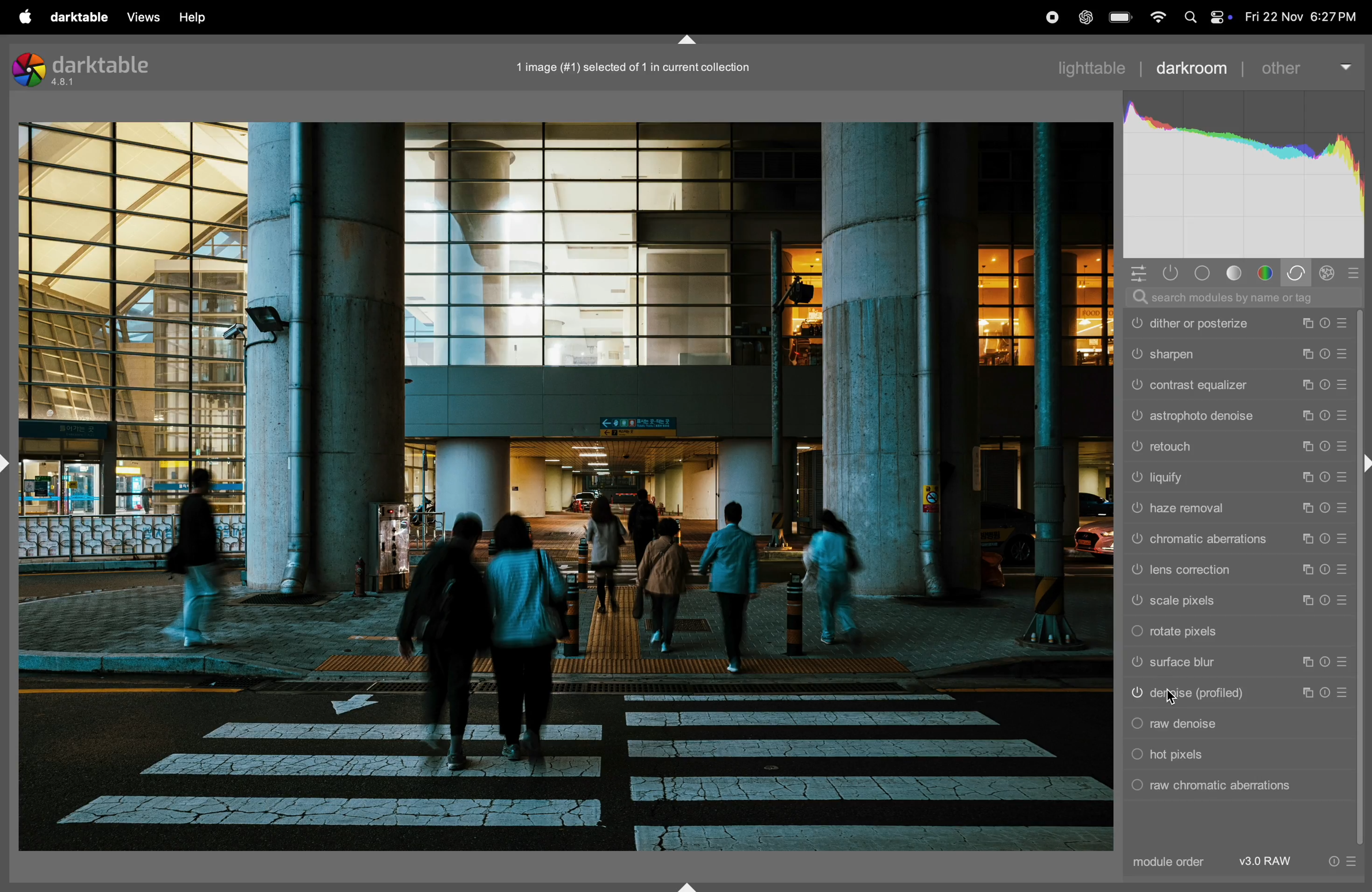 Image resolution: width=1372 pixels, height=892 pixels. I want to click on chatgpt, so click(1087, 17).